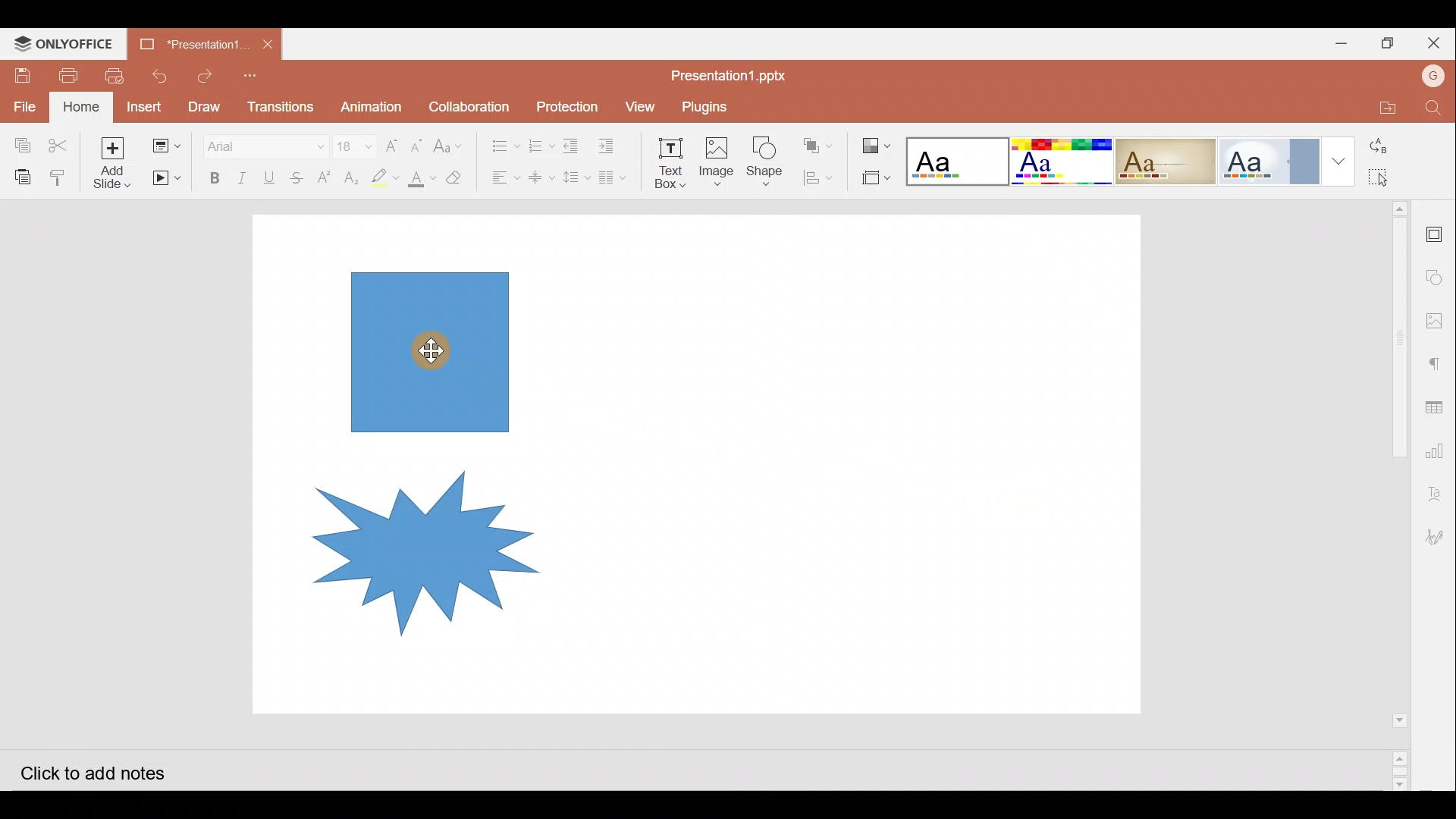 The width and height of the screenshot is (1456, 819). What do you see at coordinates (251, 76) in the screenshot?
I see `Customize quick access toolbar` at bounding box center [251, 76].